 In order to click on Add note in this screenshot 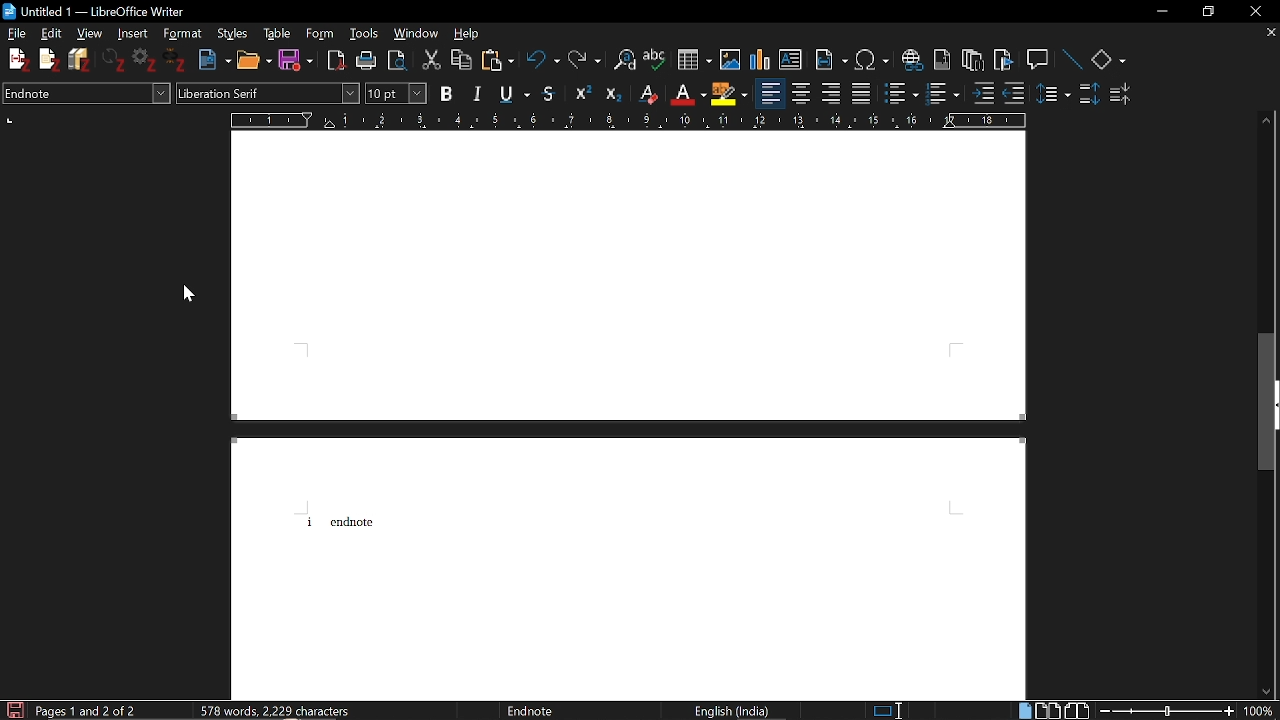, I will do `click(50, 60)`.